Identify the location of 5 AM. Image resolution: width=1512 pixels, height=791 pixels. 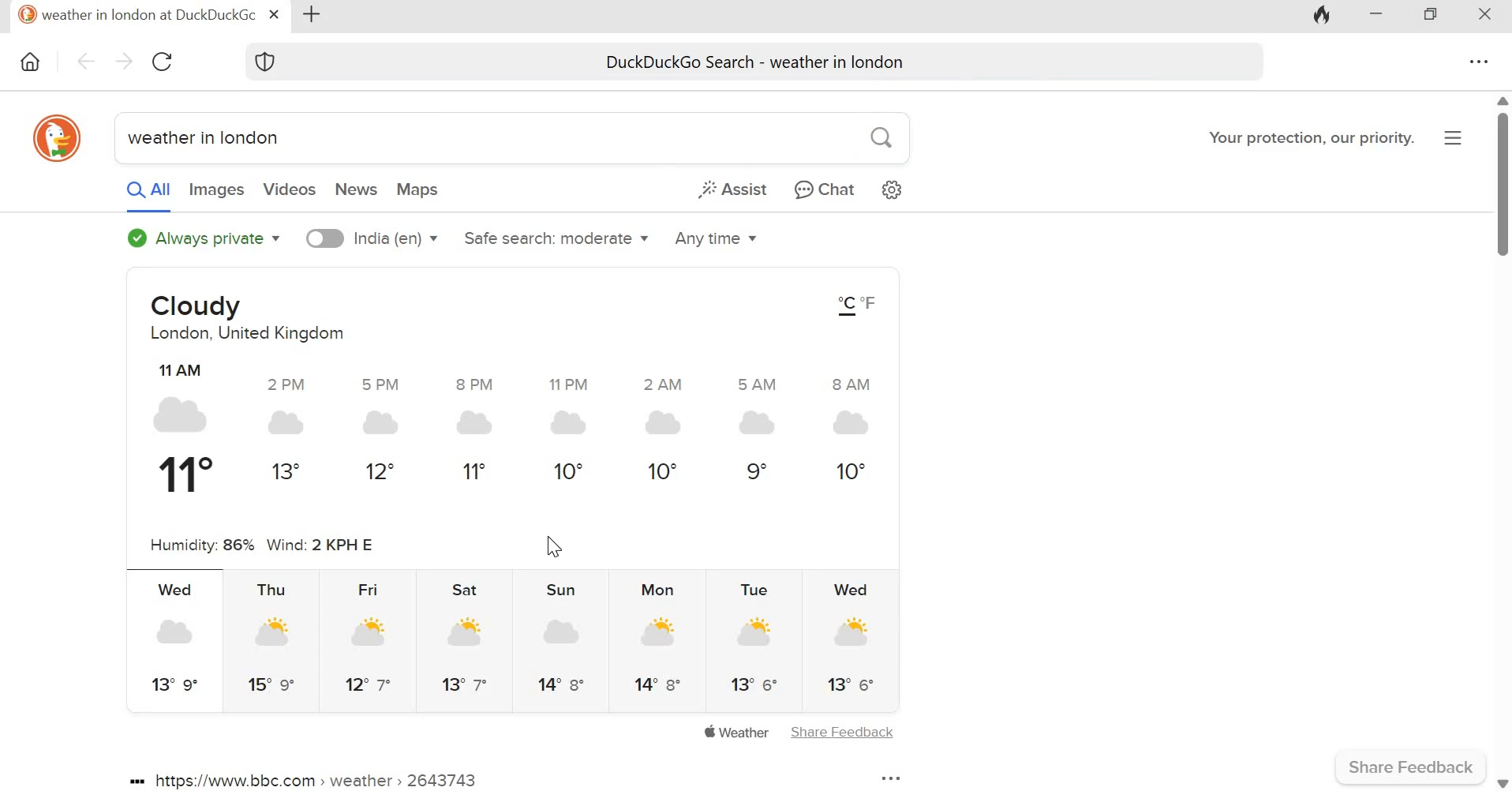
(757, 384).